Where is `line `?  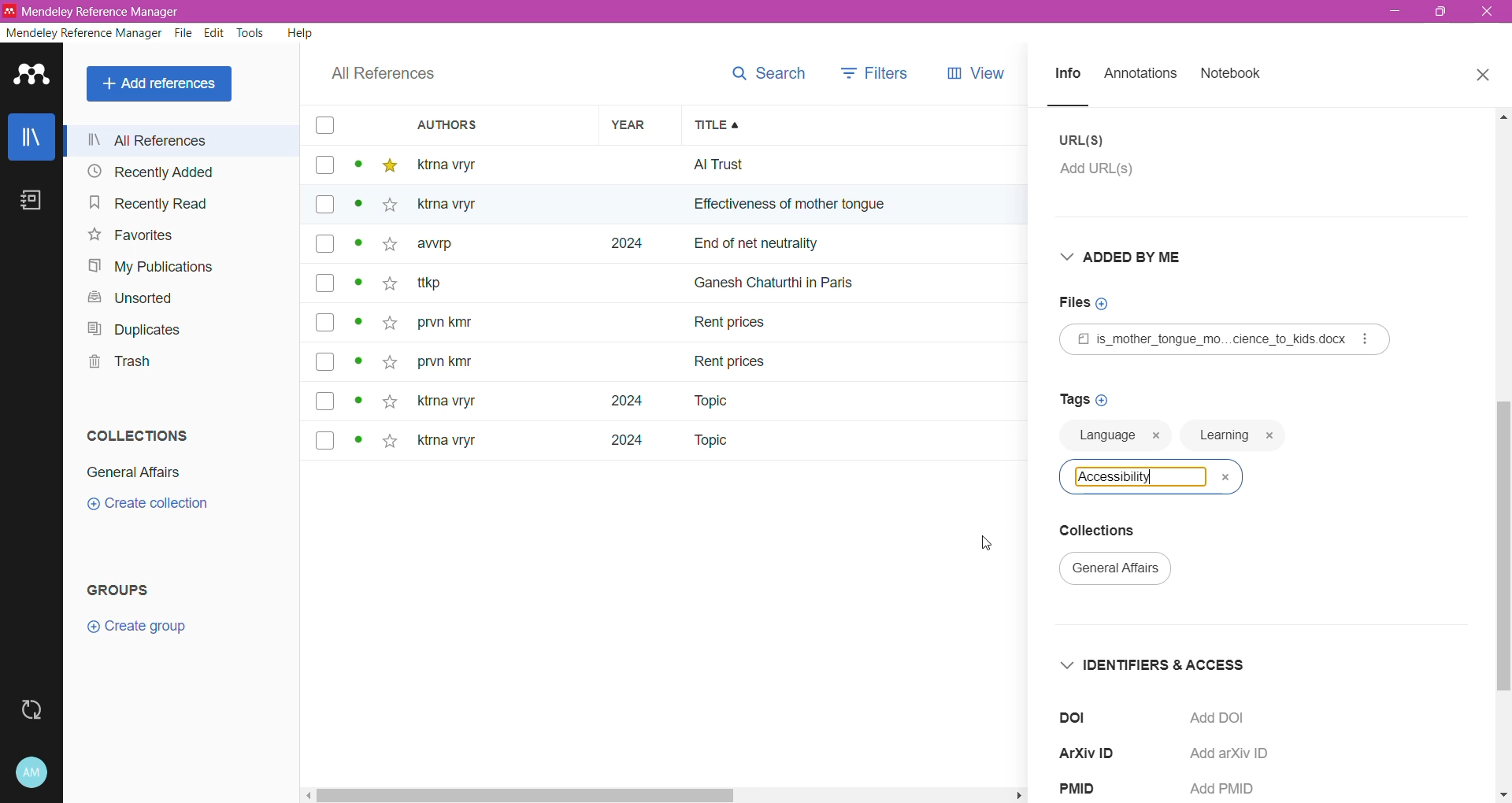
line  is located at coordinates (1083, 105).